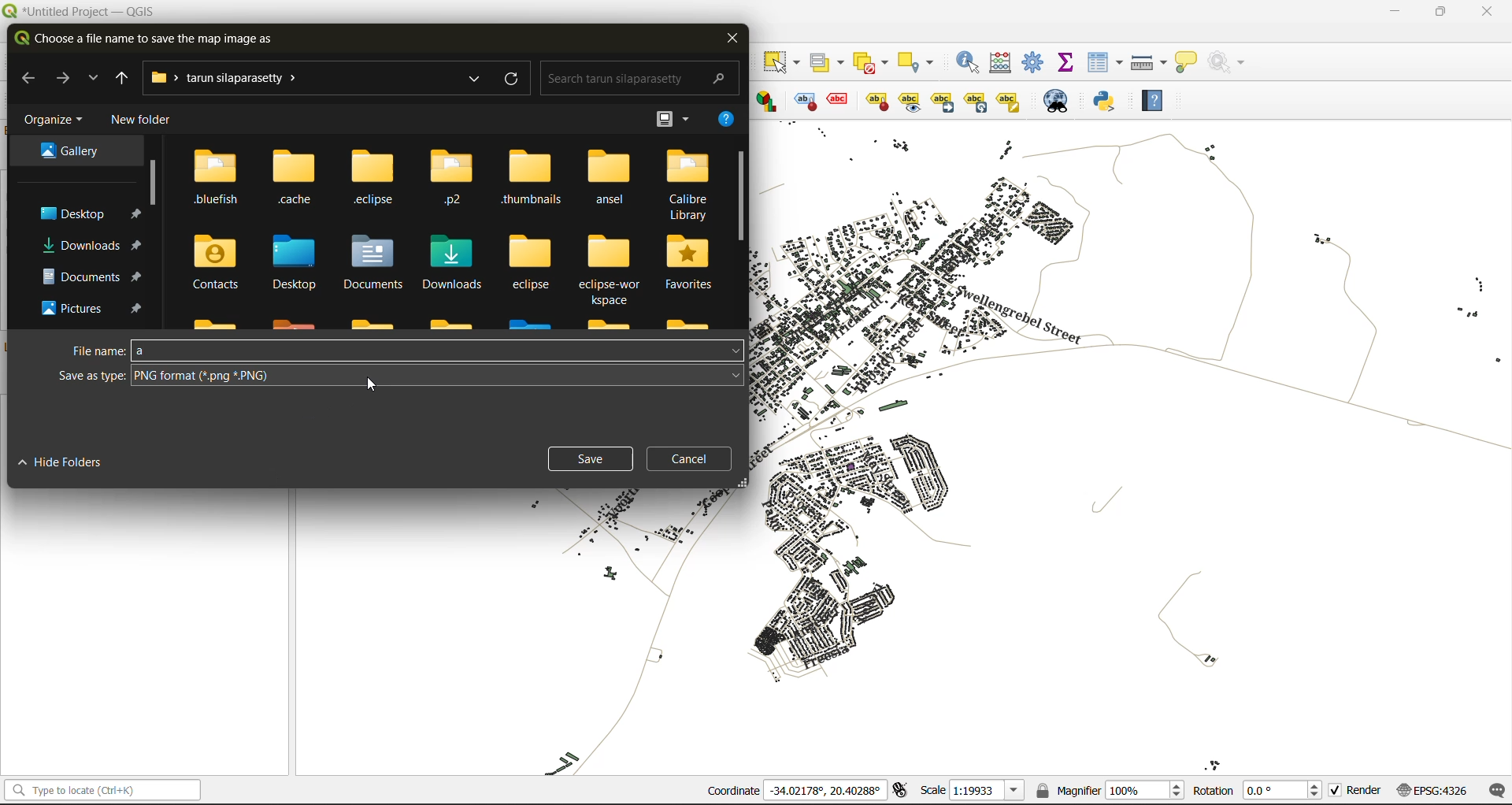  Describe the element at coordinates (1428, 788) in the screenshot. I see `crs` at that location.